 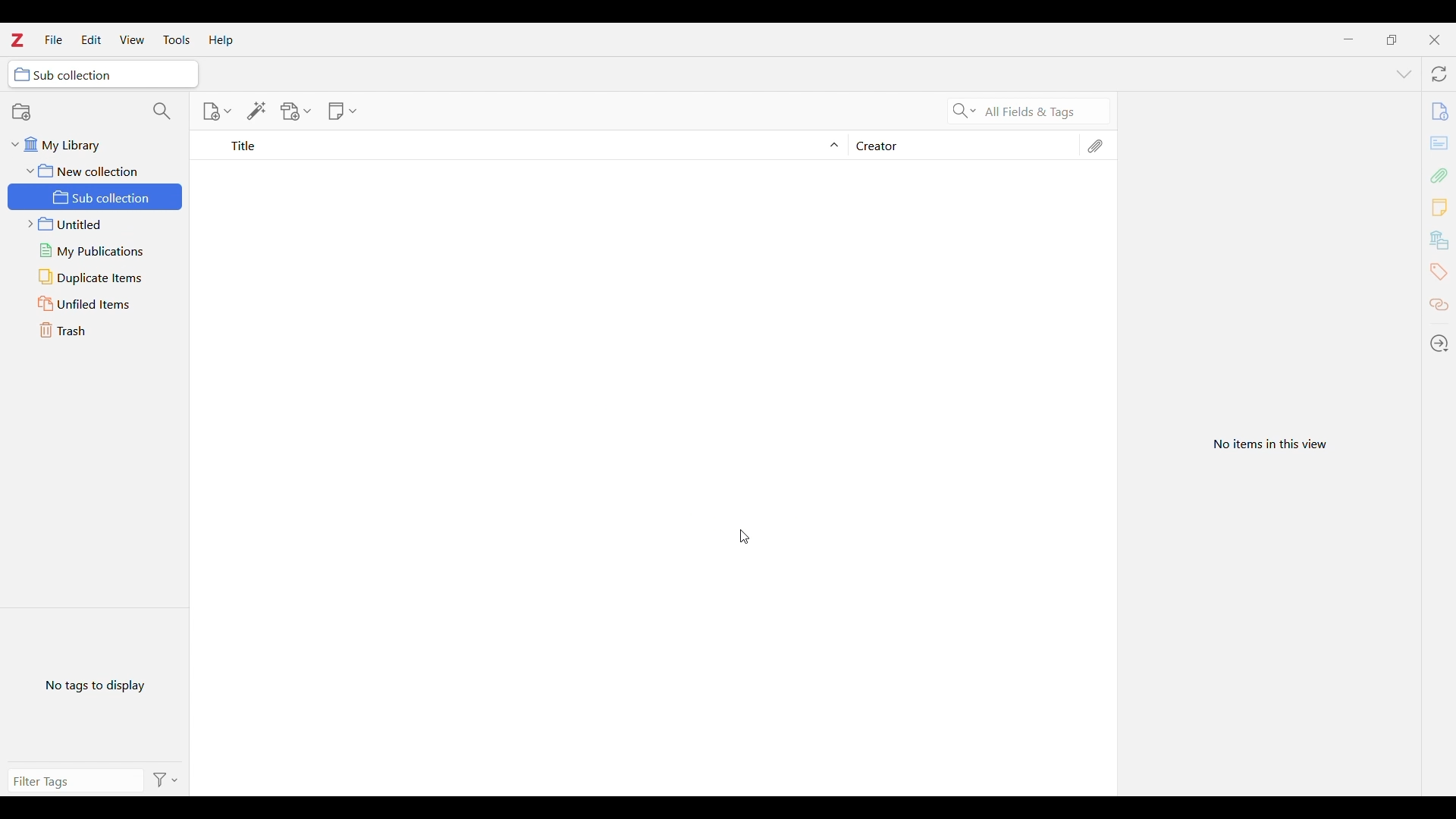 What do you see at coordinates (163, 111) in the screenshot?
I see `Filter collections` at bounding box center [163, 111].